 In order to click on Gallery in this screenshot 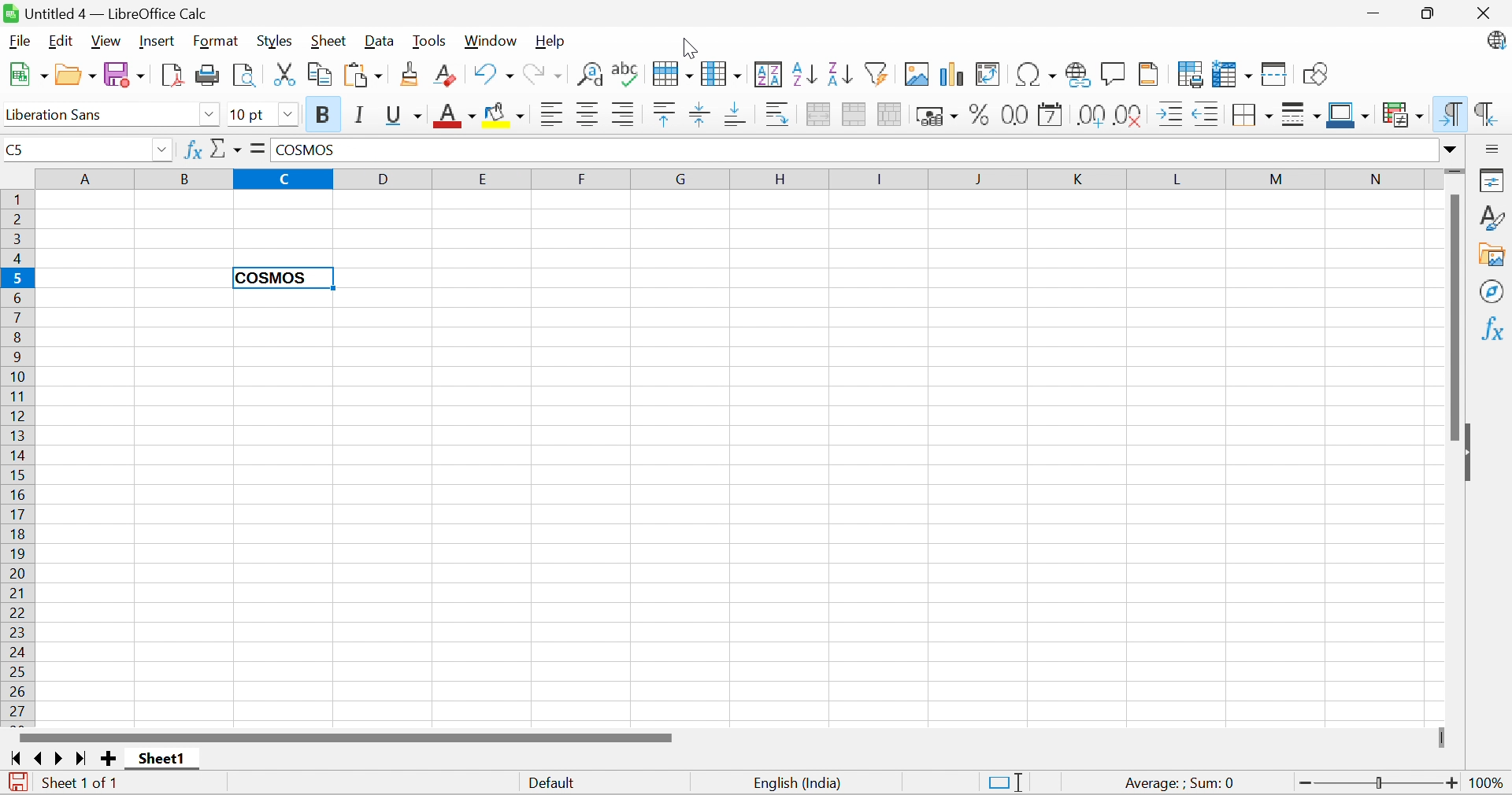, I will do `click(1494, 256)`.